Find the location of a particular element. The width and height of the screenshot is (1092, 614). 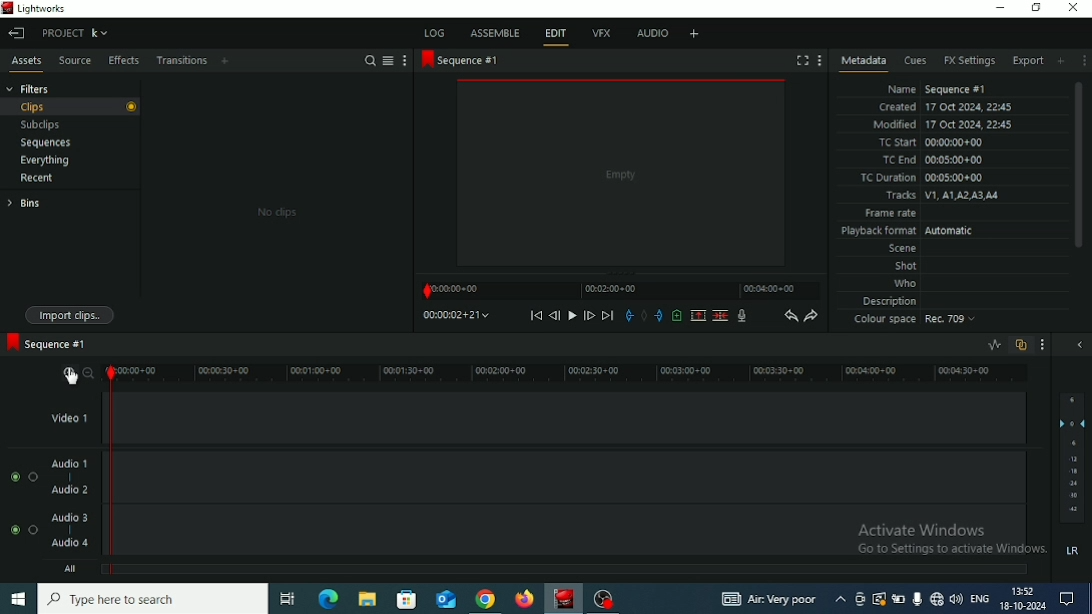

Redo is located at coordinates (811, 317).